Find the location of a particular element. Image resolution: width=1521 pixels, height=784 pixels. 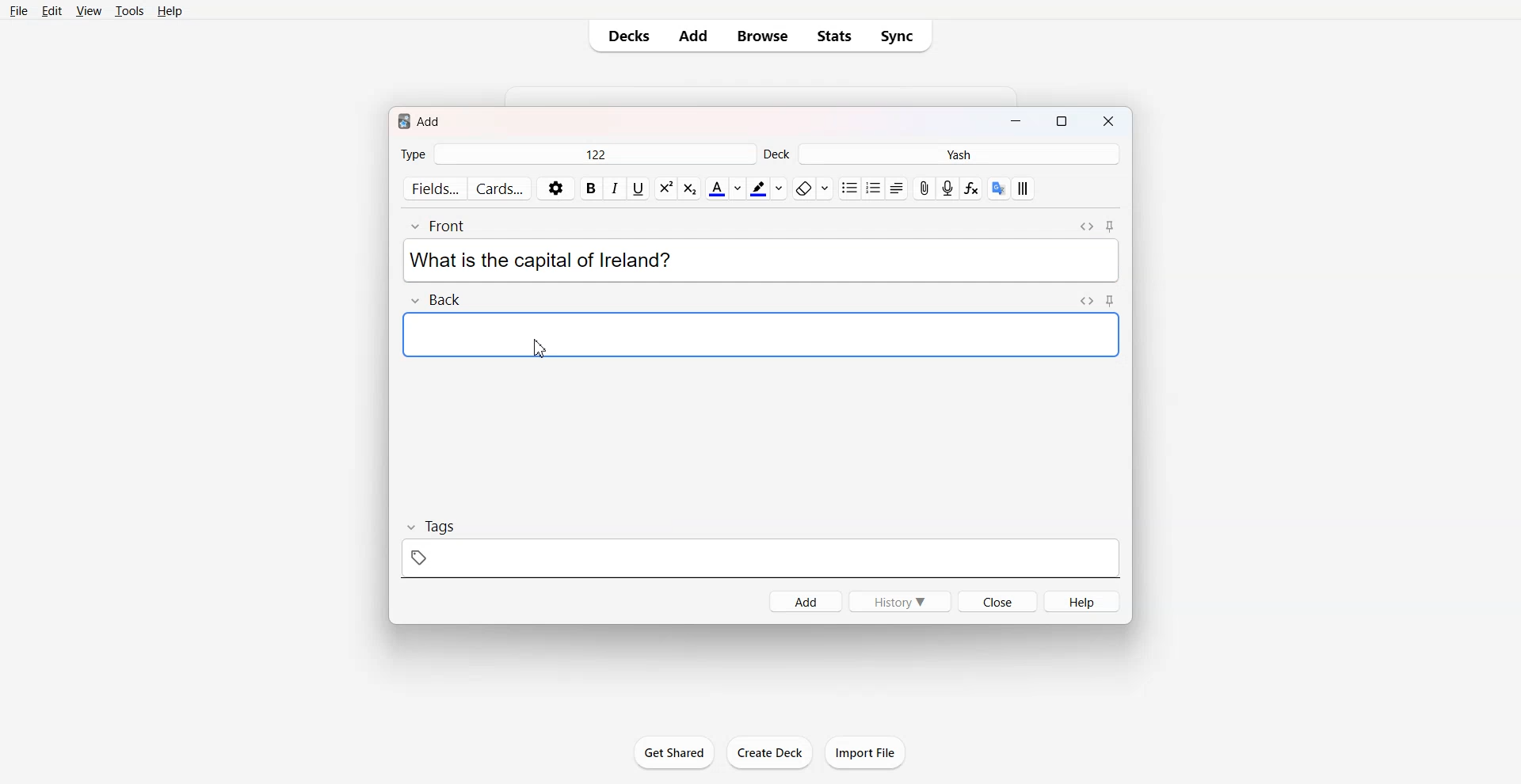

Cursor is located at coordinates (542, 348).